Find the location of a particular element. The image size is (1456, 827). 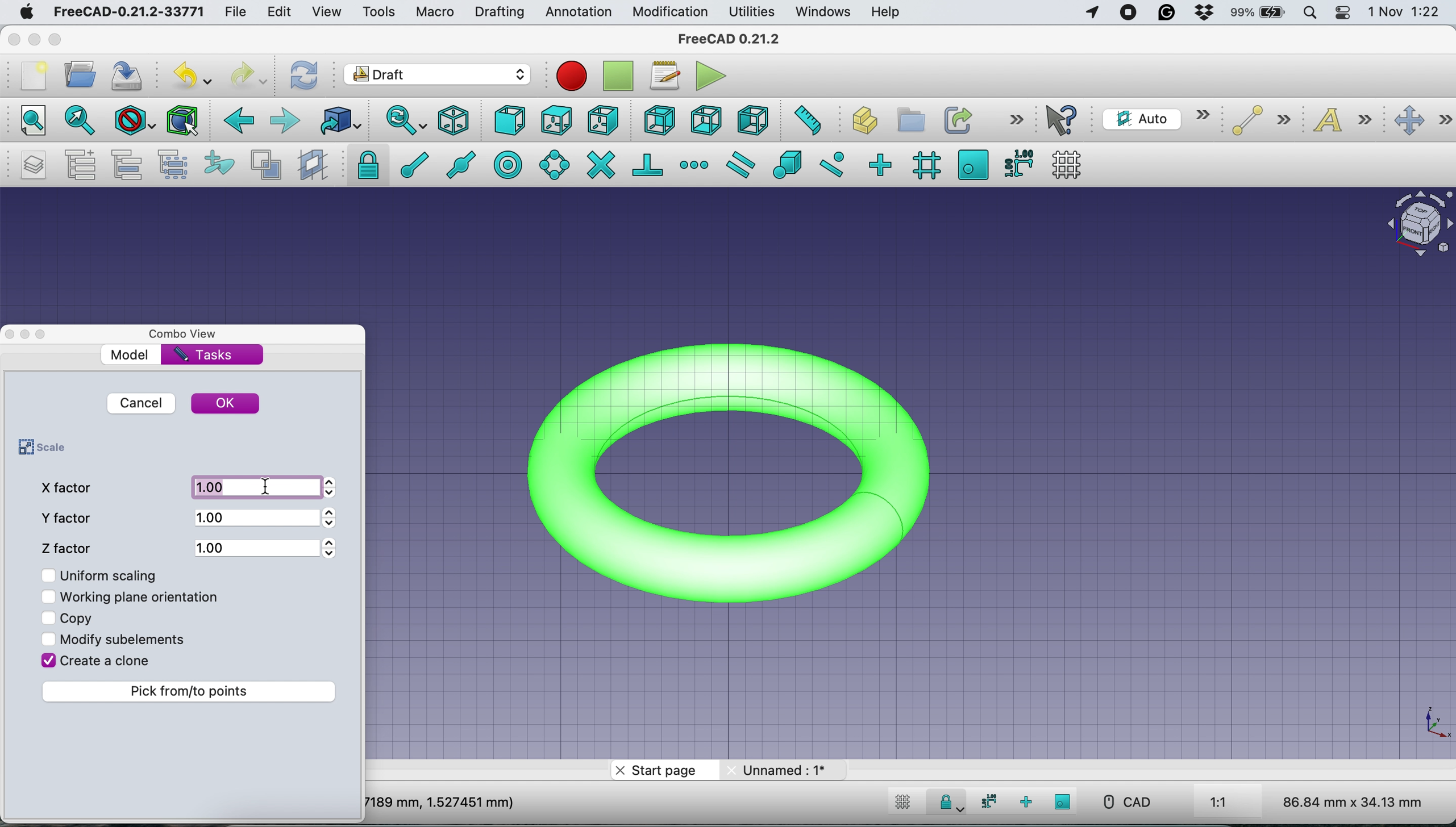

left is located at coordinates (750, 118).